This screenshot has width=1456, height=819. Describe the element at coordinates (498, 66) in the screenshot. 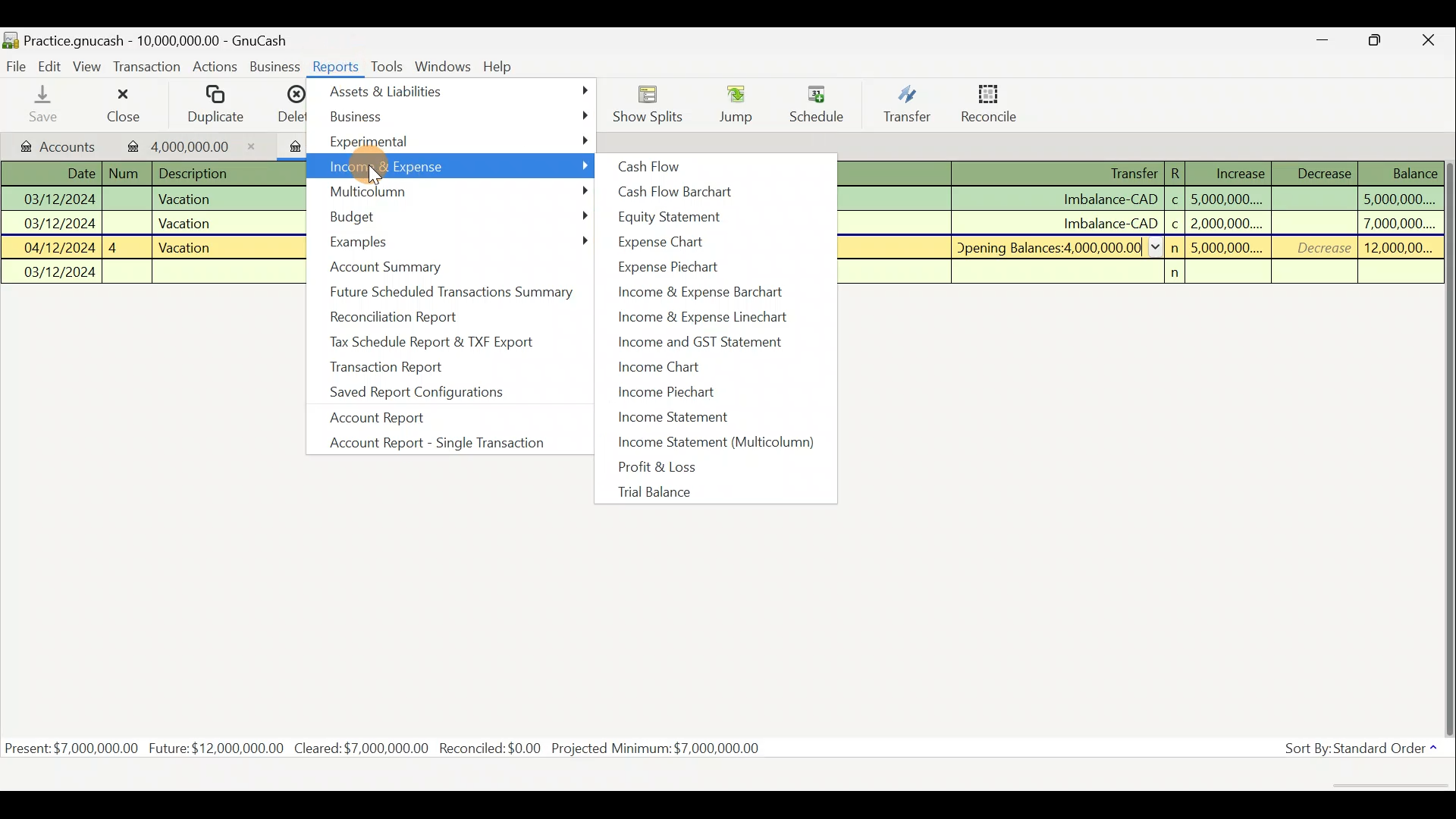

I see `Help` at that location.